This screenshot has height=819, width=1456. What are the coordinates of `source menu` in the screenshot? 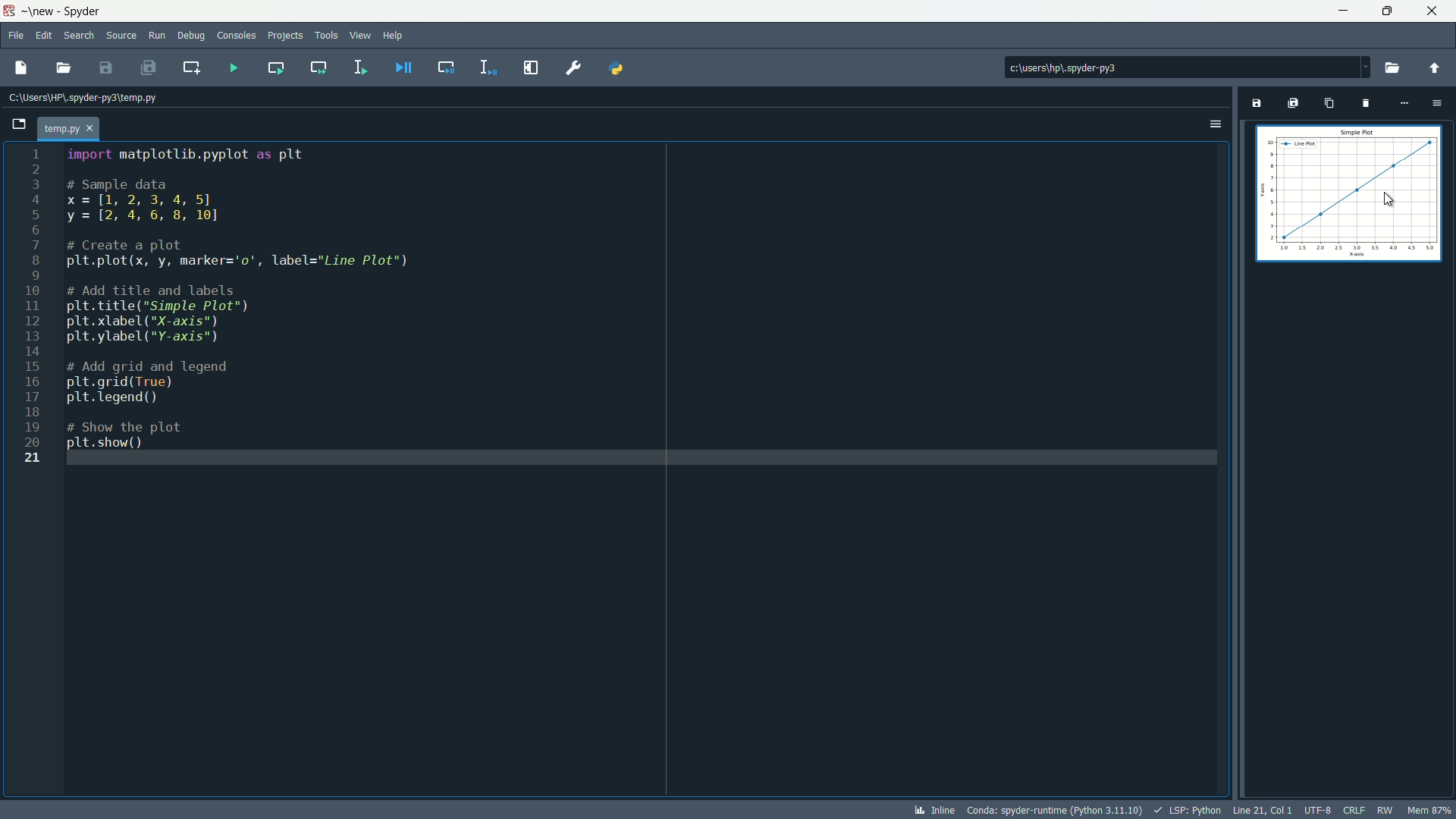 It's located at (121, 36).